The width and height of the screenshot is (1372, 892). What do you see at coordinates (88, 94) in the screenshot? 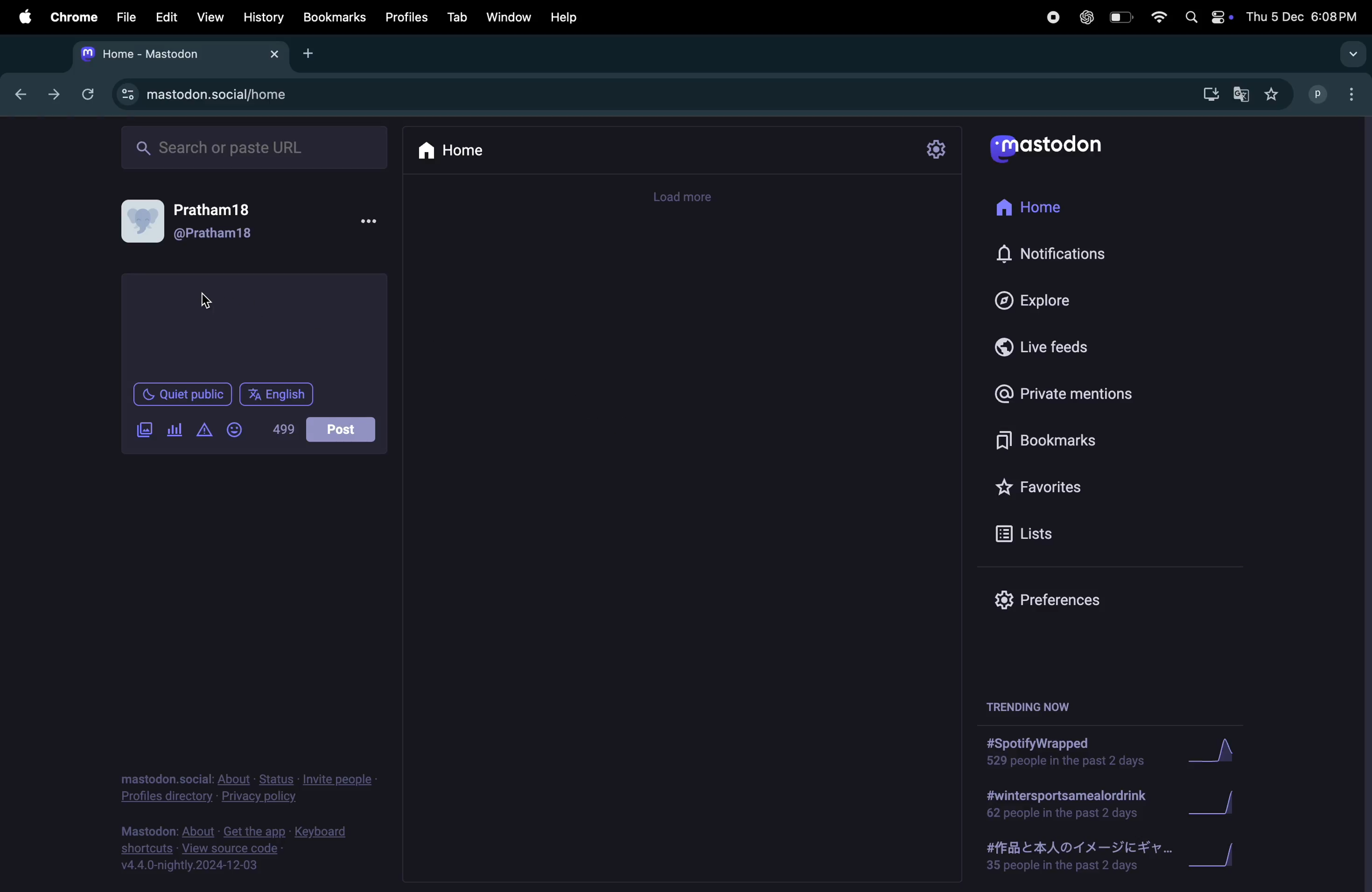
I see `refresh` at bounding box center [88, 94].